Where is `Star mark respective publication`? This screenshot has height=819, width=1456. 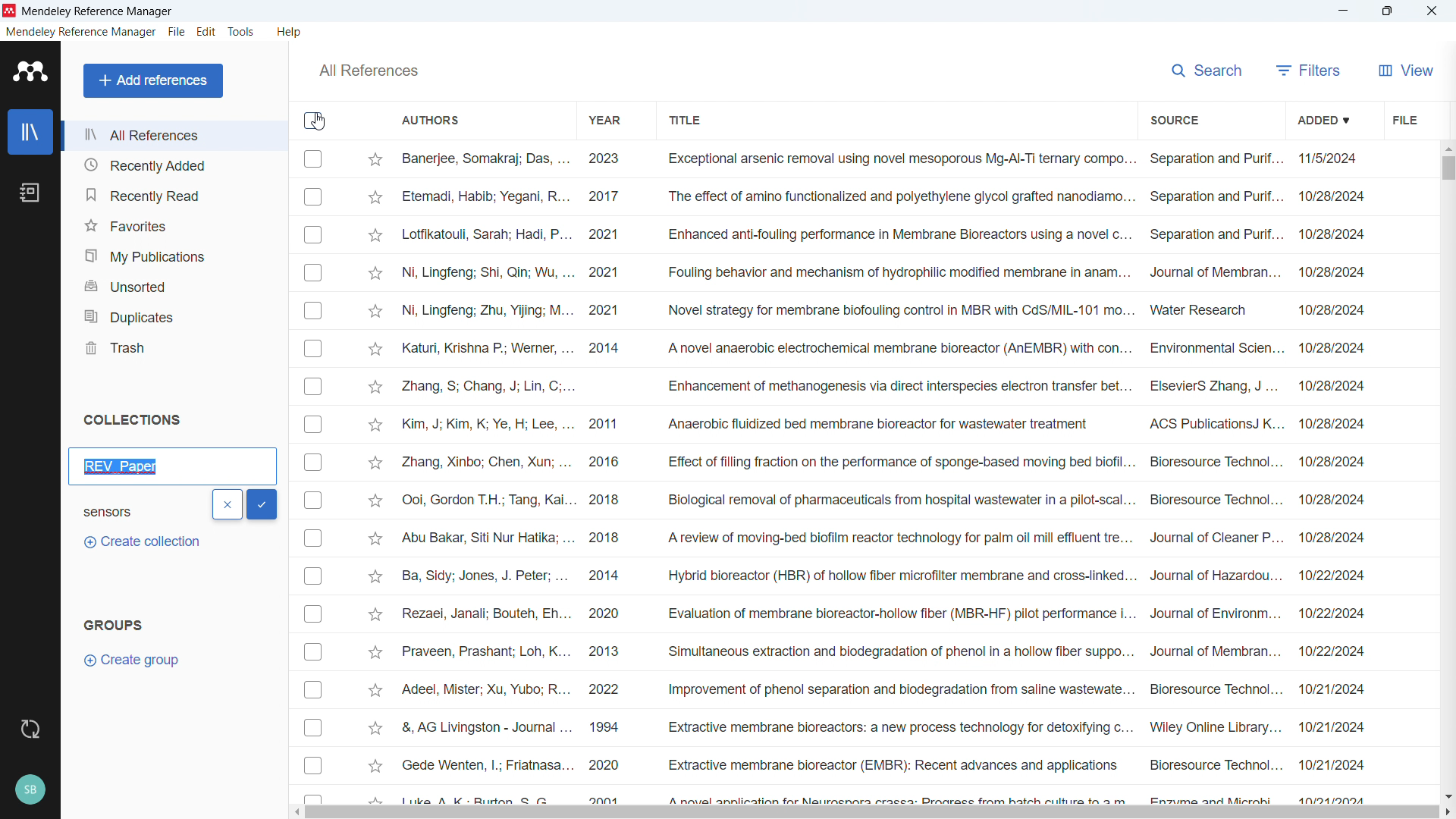 Star mark respective publication is located at coordinates (375, 538).